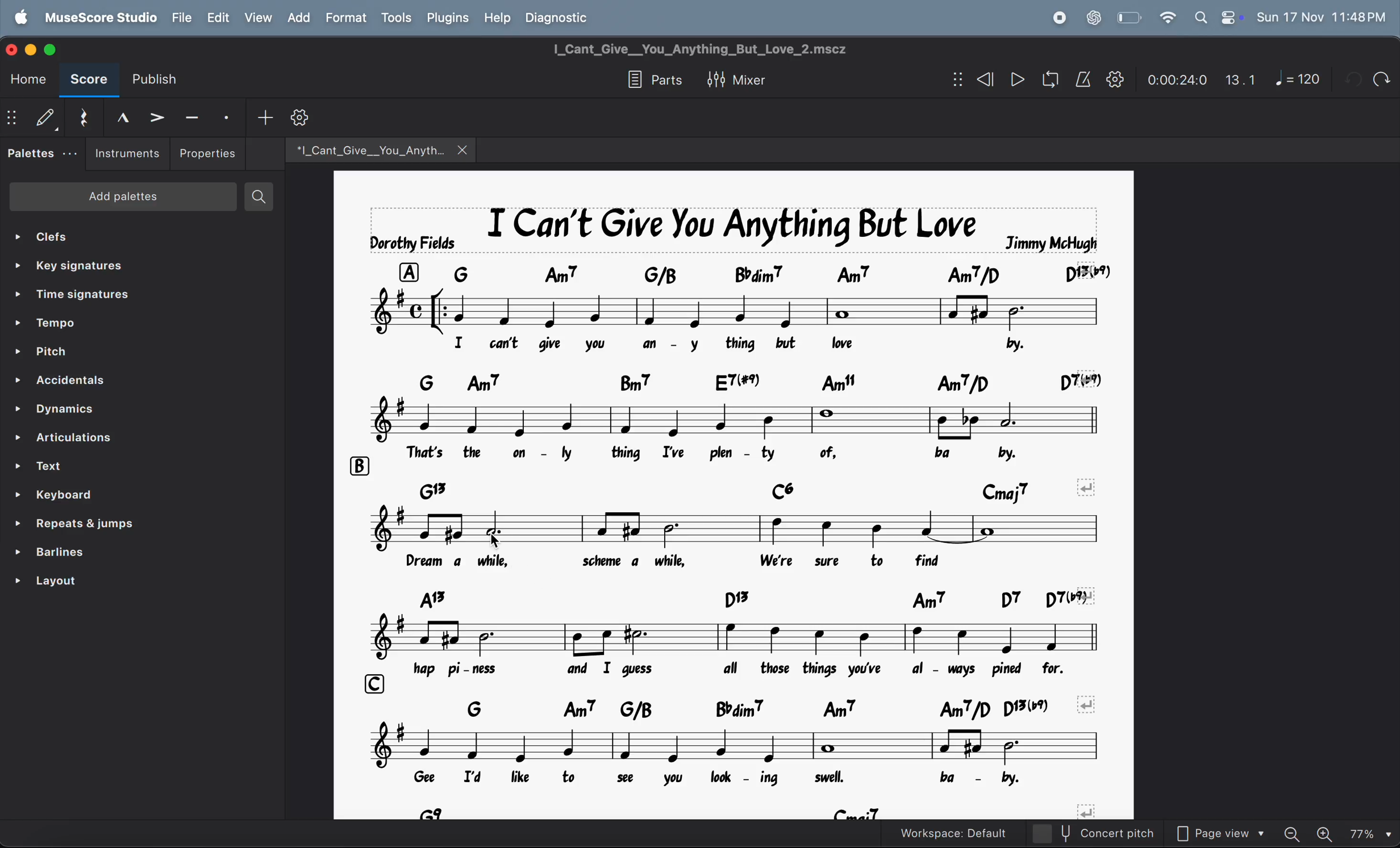 The width and height of the screenshot is (1400, 848). What do you see at coordinates (735, 310) in the screenshot?
I see `note` at bounding box center [735, 310].